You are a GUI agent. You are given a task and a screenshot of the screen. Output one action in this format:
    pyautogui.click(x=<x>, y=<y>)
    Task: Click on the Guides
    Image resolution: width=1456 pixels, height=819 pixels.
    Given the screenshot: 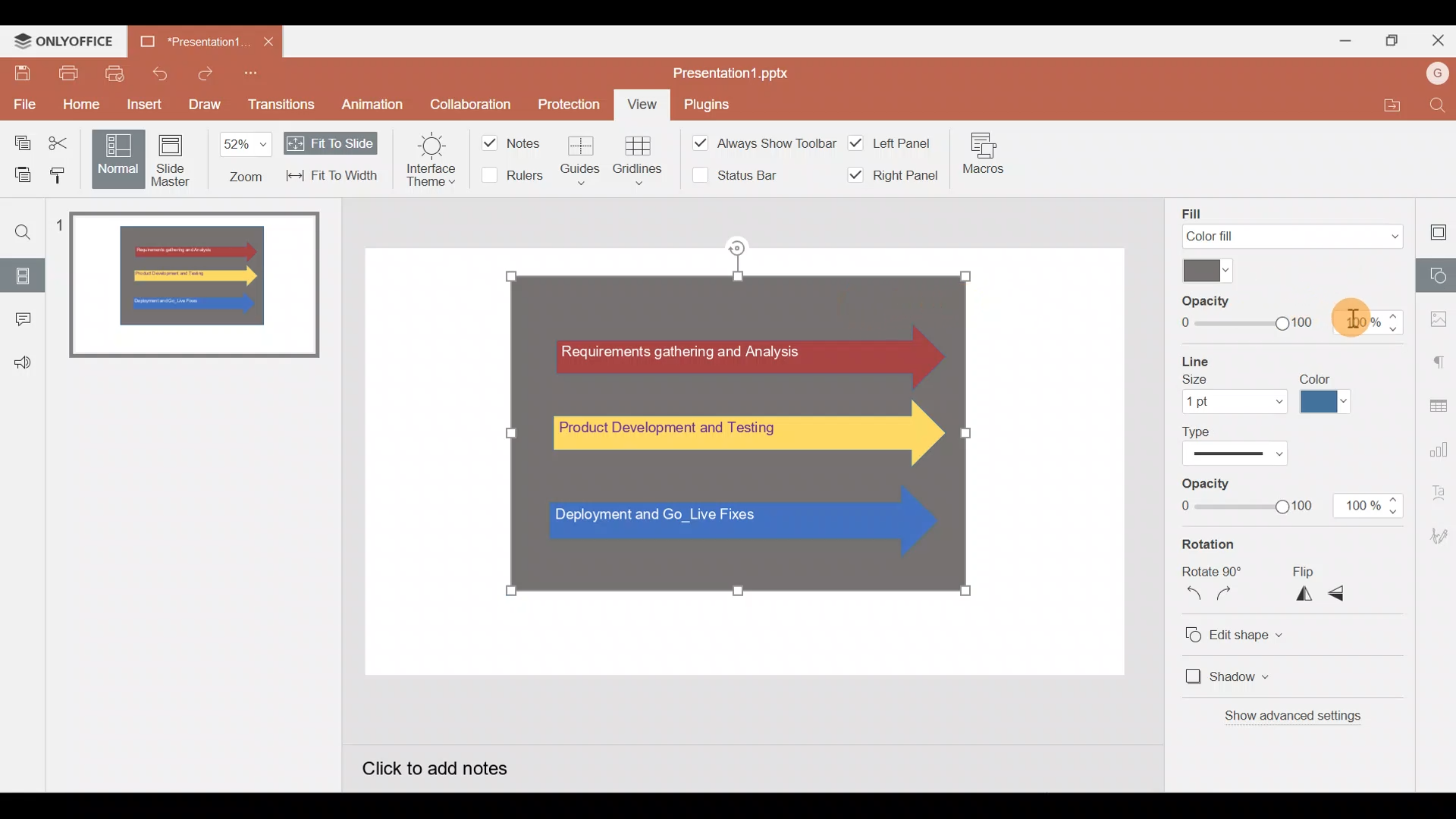 What is the action you would take?
    pyautogui.click(x=587, y=157)
    